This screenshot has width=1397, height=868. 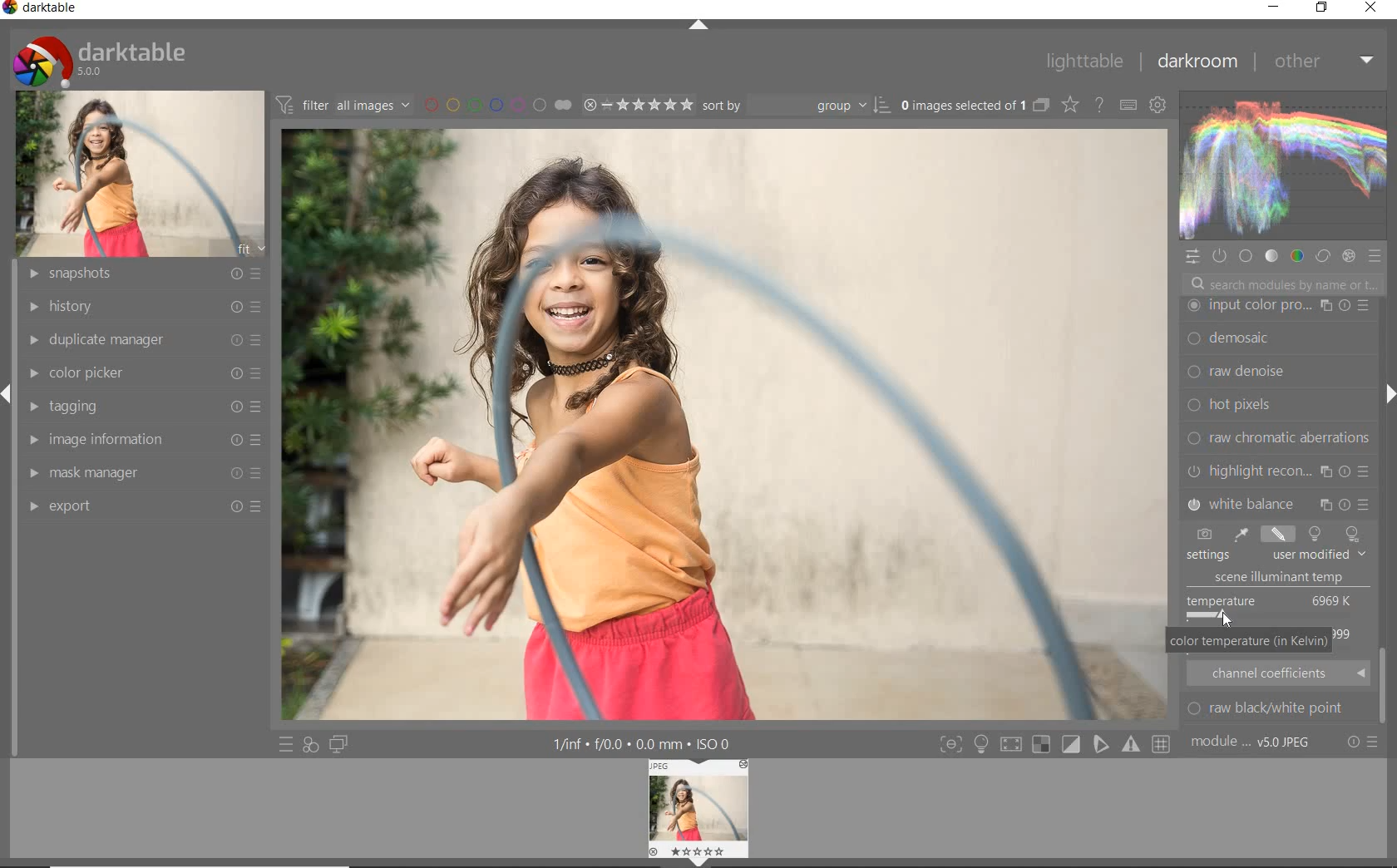 What do you see at coordinates (1271, 255) in the screenshot?
I see `tone` at bounding box center [1271, 255].